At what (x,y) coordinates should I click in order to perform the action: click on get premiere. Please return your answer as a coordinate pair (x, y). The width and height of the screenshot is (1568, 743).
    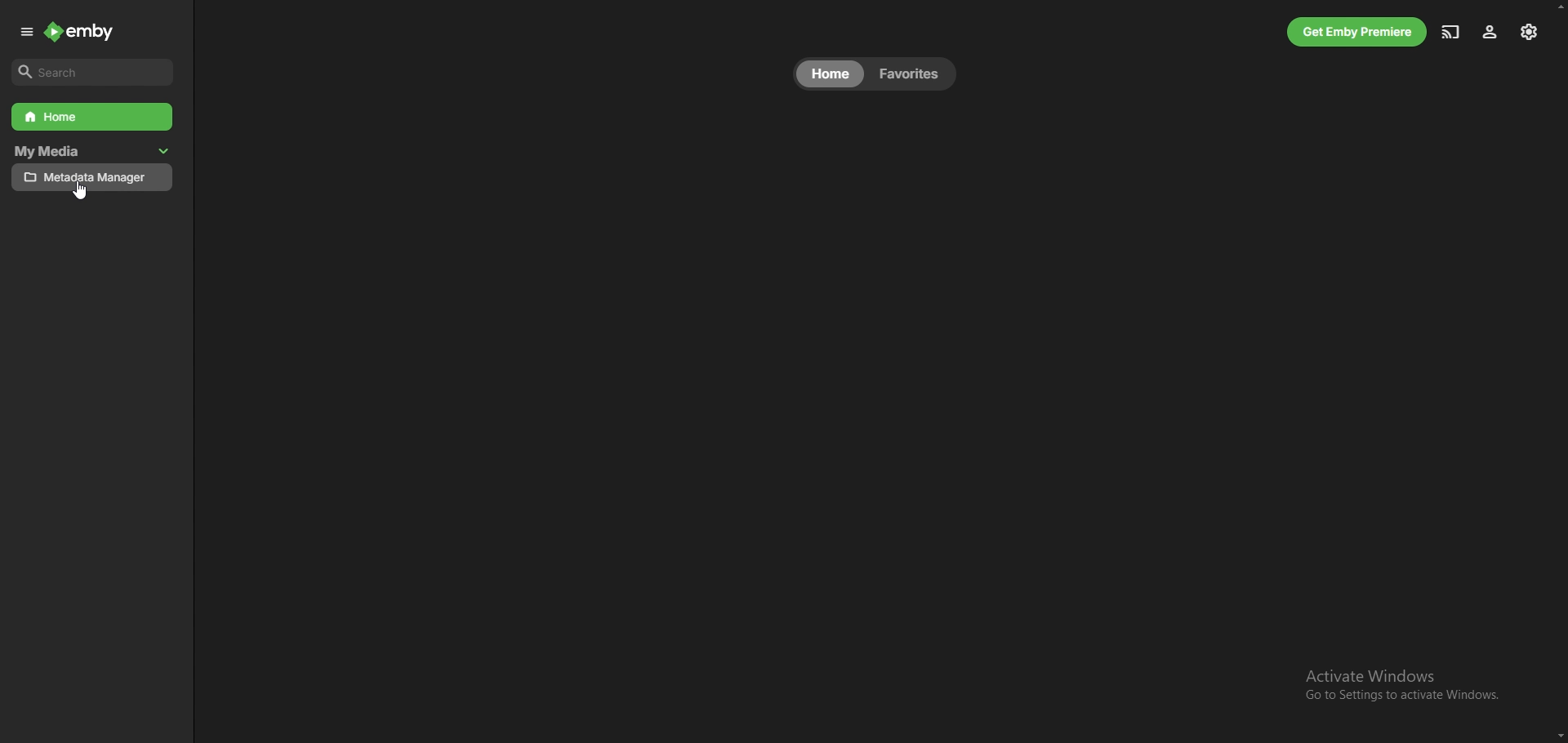
    Looking at the image, I should click on (1357, 32).